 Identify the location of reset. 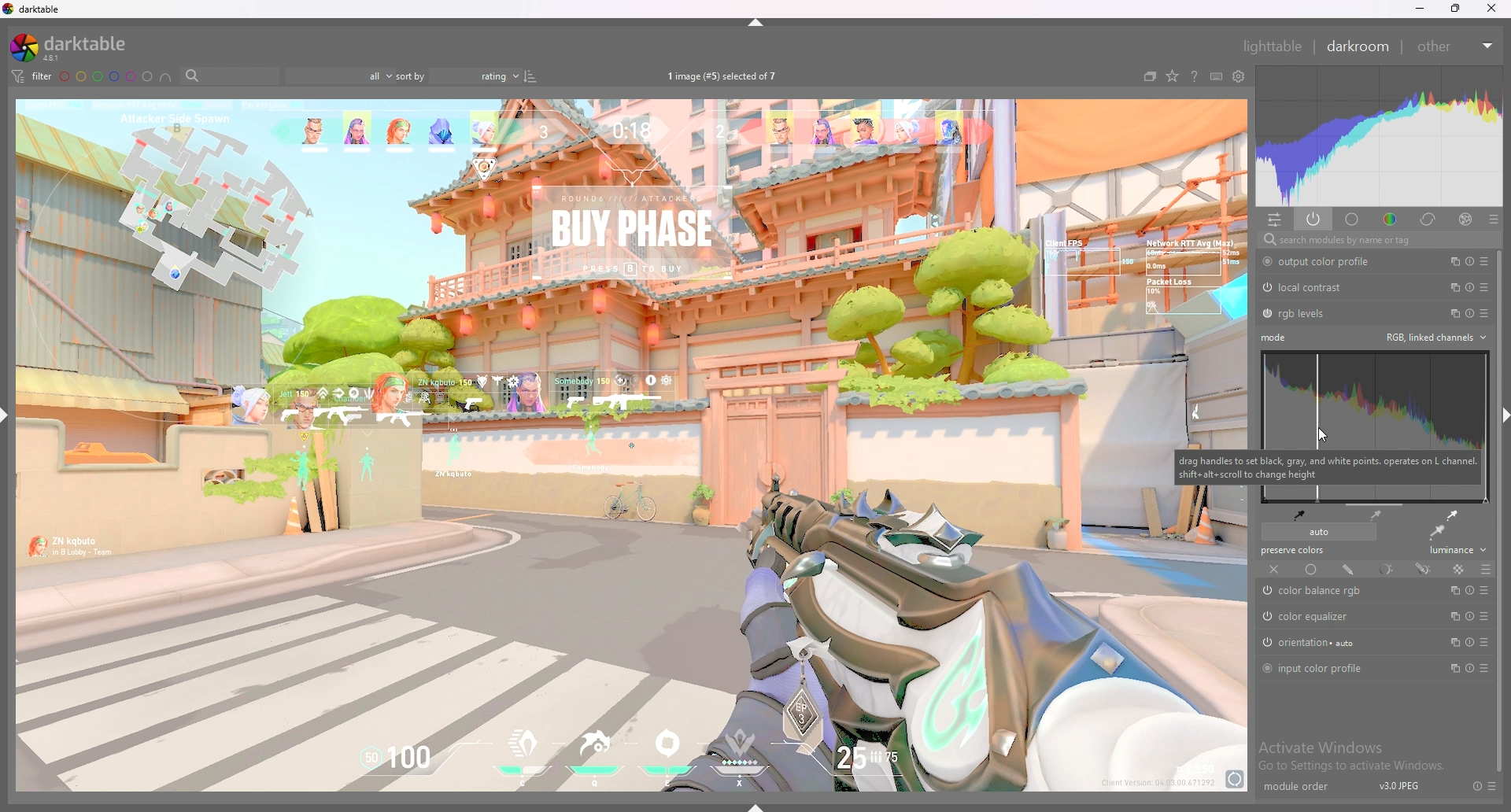
(1469, 287).